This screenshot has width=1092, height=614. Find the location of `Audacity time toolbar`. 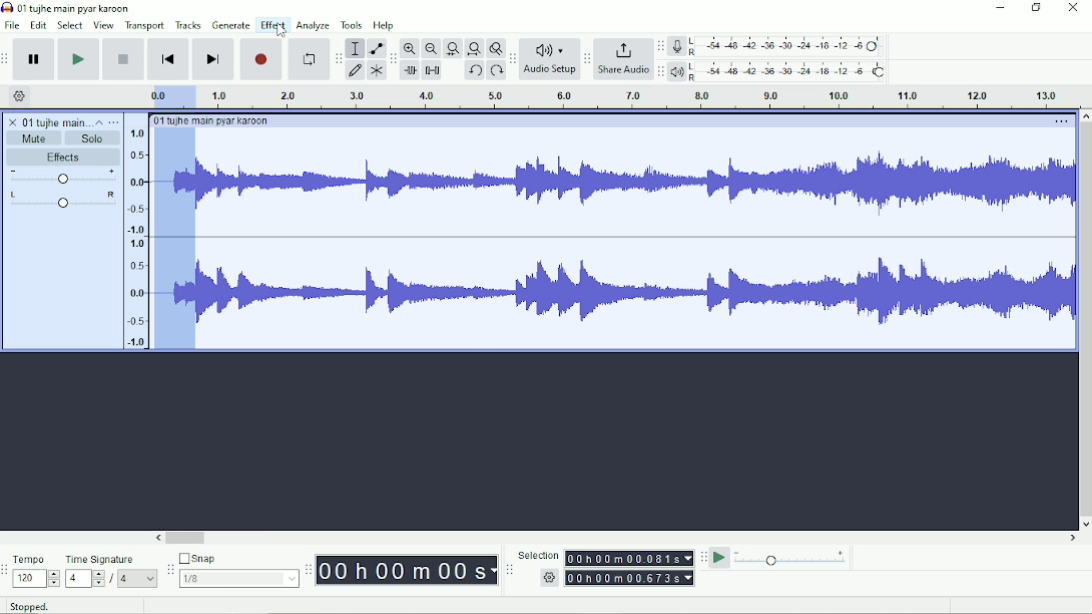

Audacity time toolbar is located at coordinates (307, 570).